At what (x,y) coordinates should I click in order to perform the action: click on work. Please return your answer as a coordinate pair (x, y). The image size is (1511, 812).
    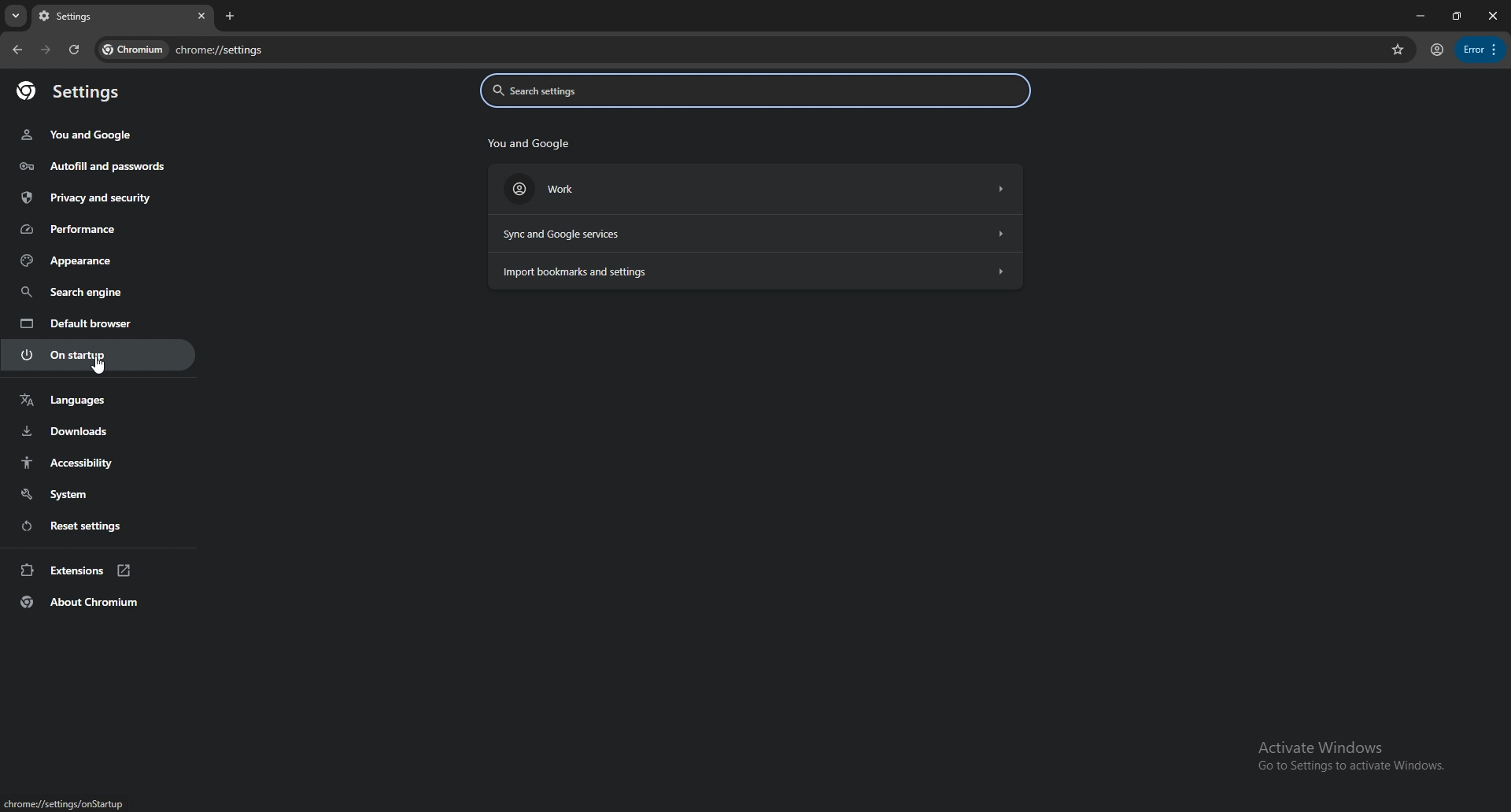
    Looking at the image, I should click on (759, 189).